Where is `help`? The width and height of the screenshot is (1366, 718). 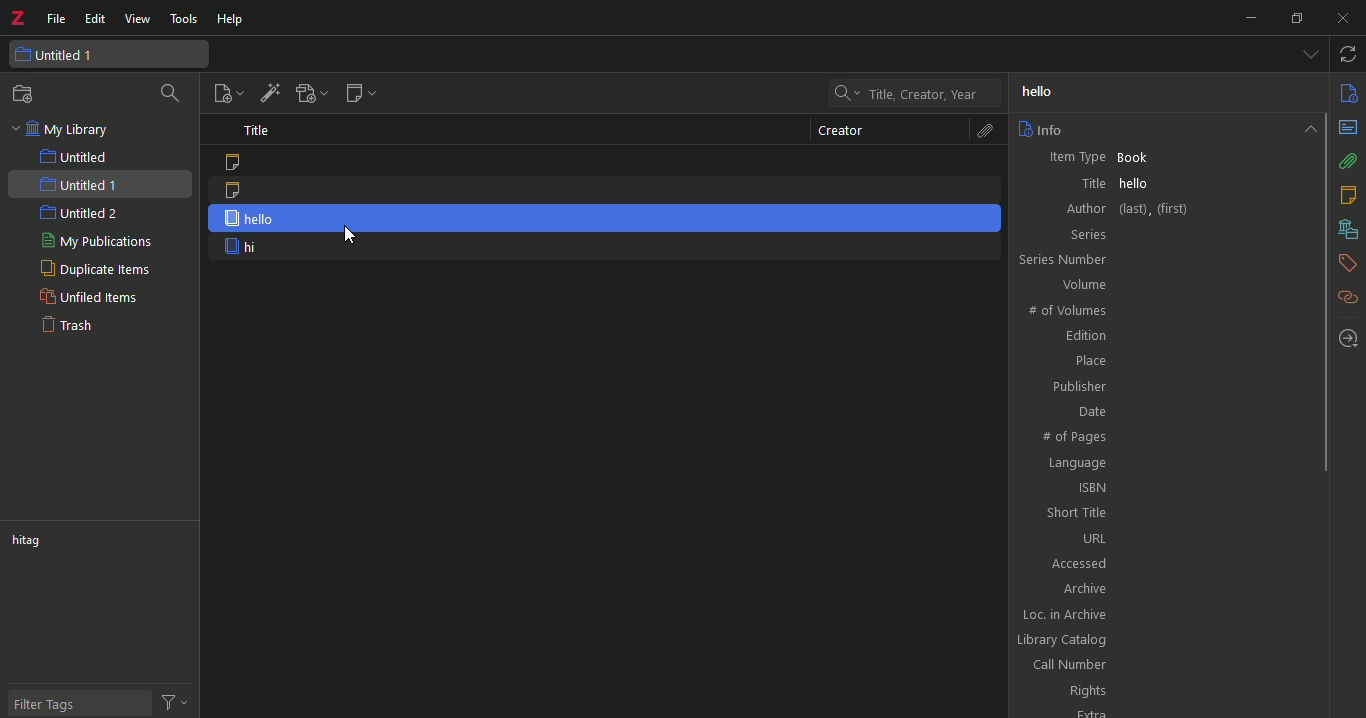 help is located at coordinates (234, 20).